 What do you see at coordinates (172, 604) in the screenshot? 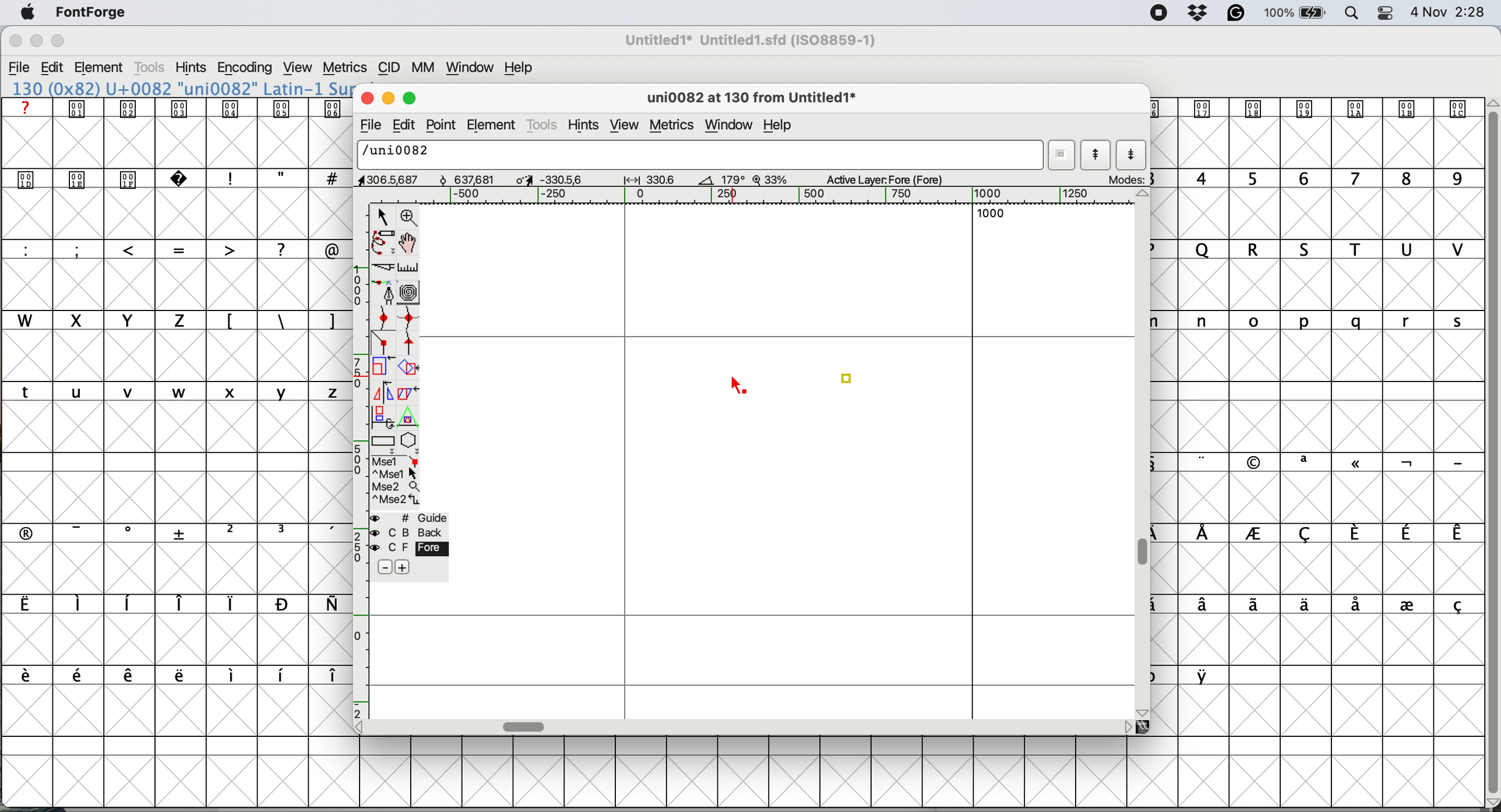
I see `symbols` at bounding box center [172, 604].